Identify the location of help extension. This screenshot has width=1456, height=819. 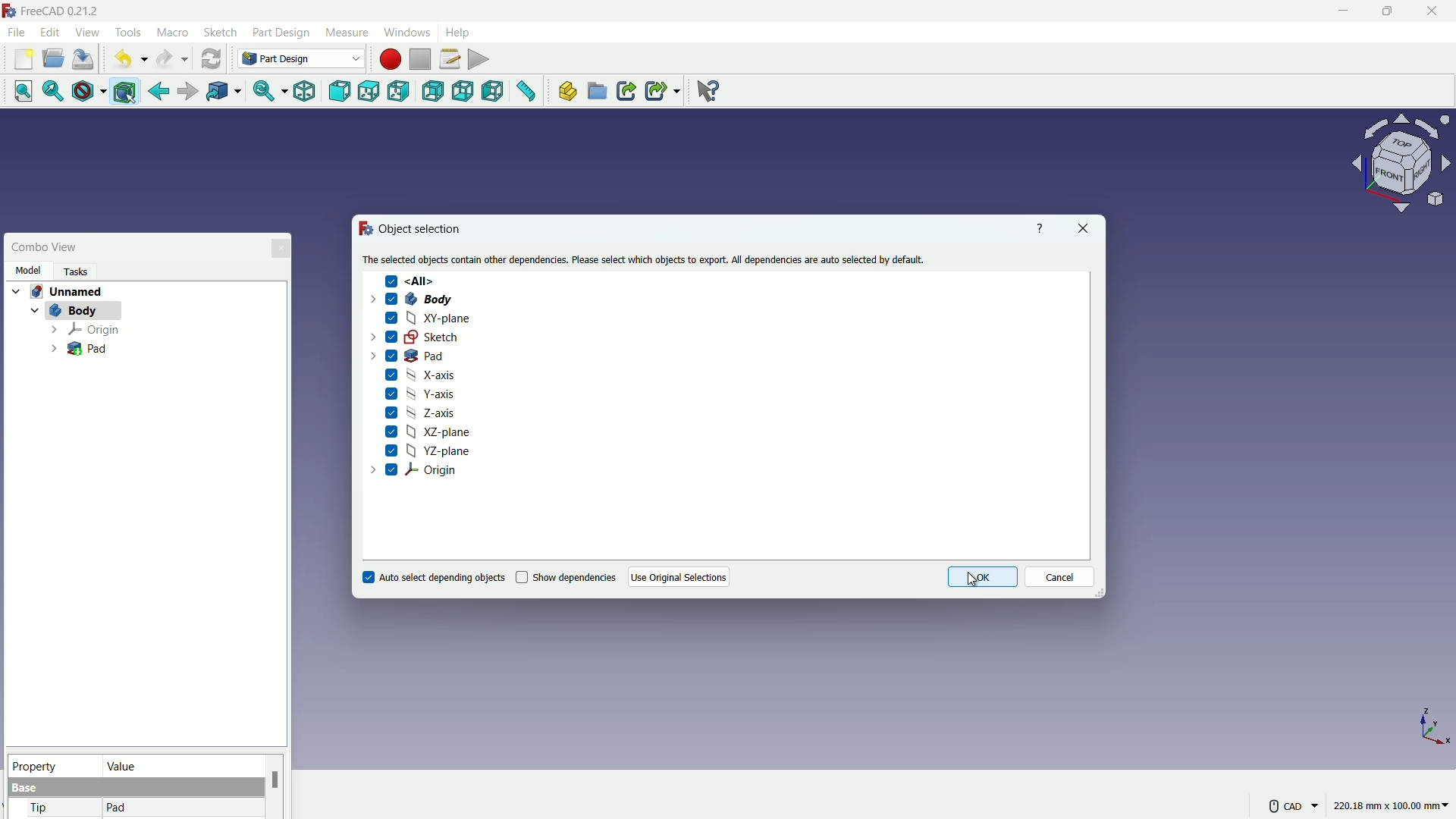
(704, 89).